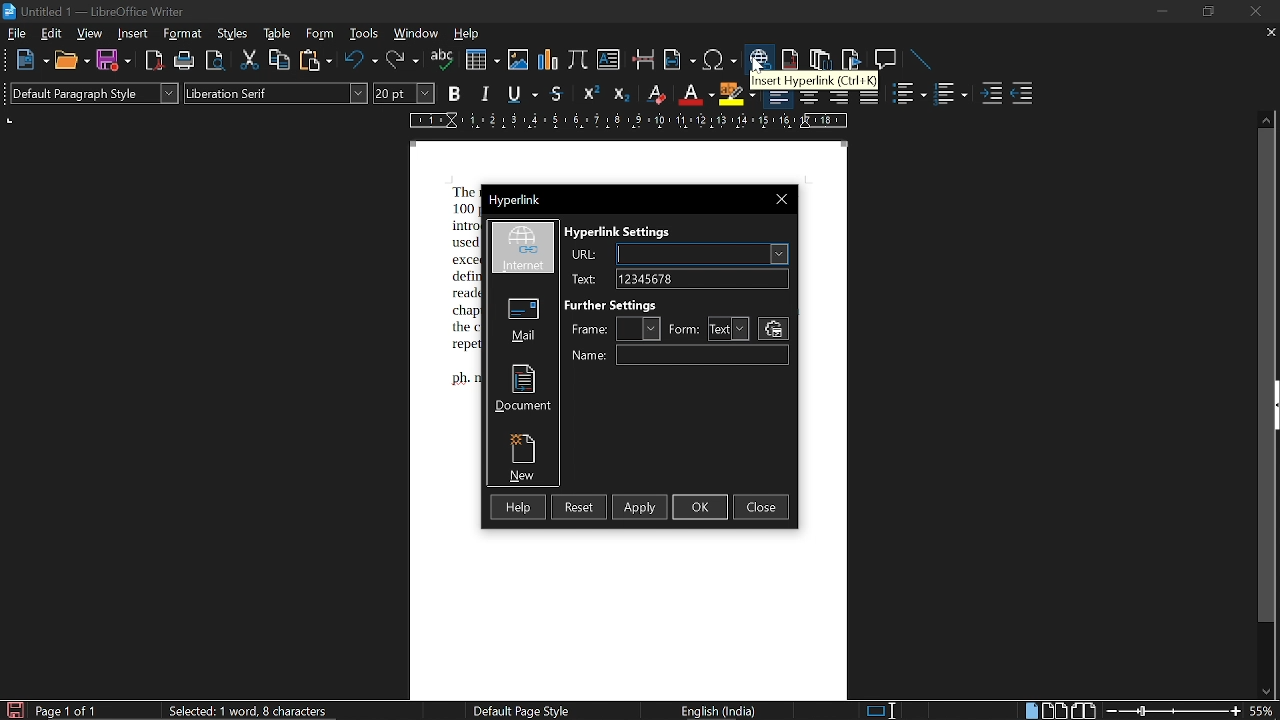  What do you see at coordinates (588, 95) in the screenshot?
I see `superscript` at bounding box center [588, 95].